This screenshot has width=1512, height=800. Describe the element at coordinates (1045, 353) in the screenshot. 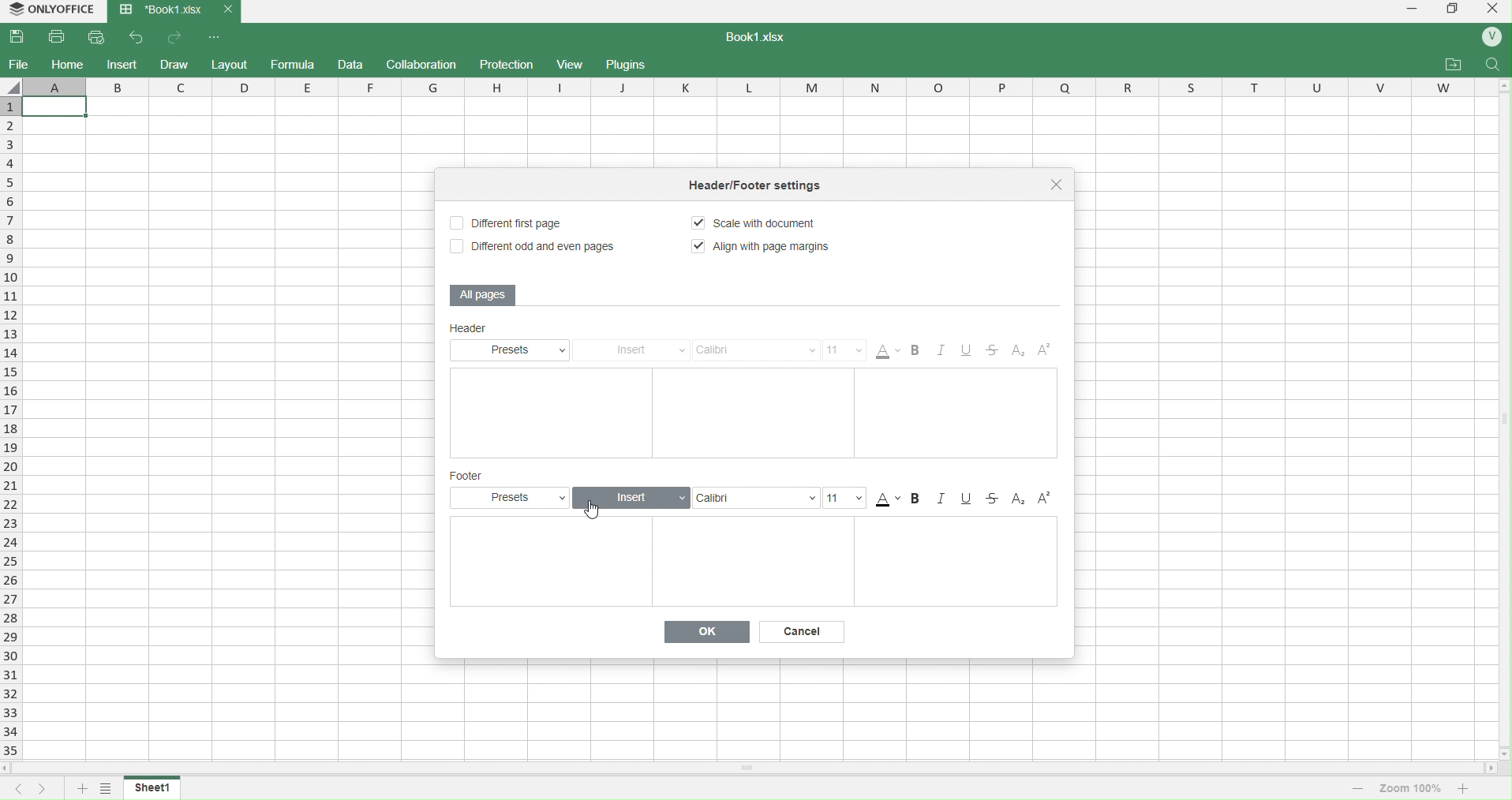

I see `Superscript` at that location.